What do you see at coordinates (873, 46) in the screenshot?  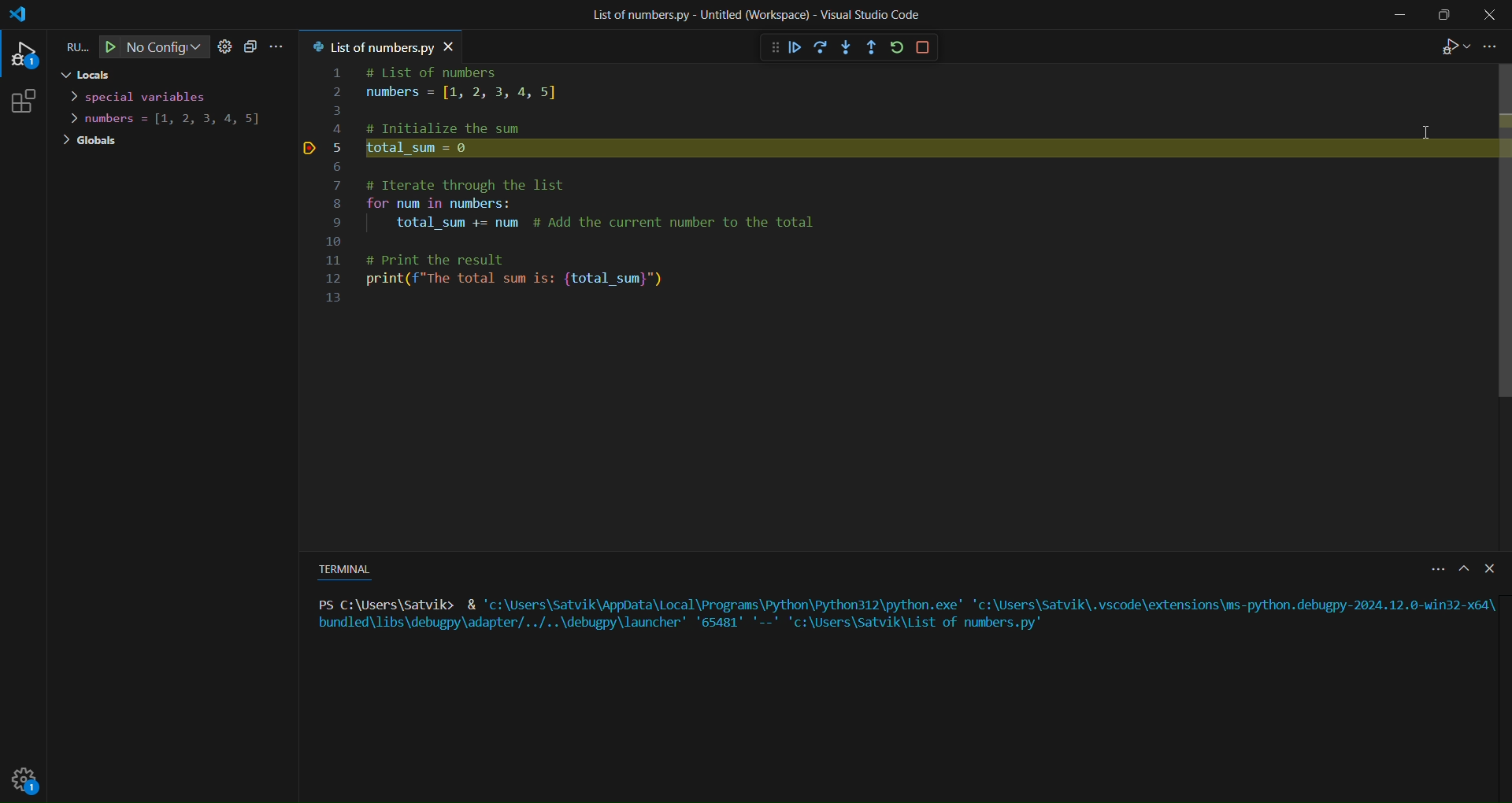 I see `step out` at bounding box center [873, 46].